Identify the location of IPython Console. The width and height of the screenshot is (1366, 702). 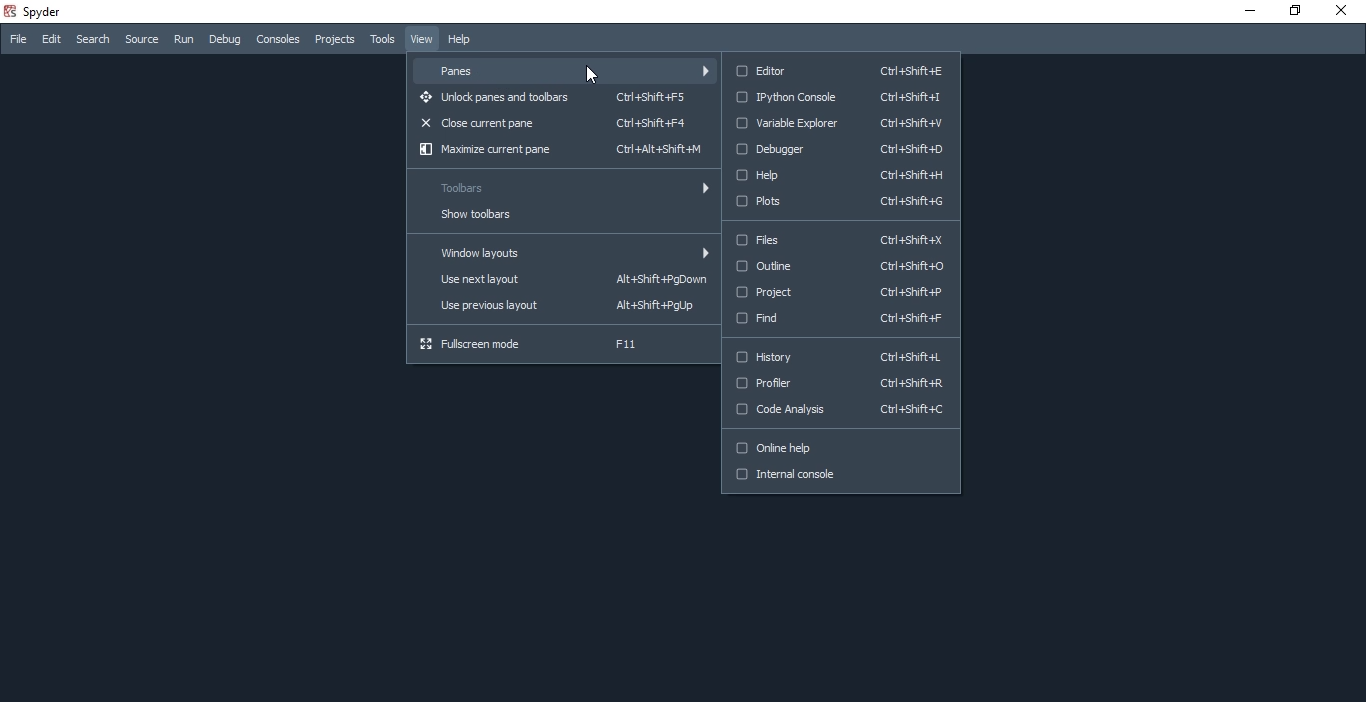
(843, 97).